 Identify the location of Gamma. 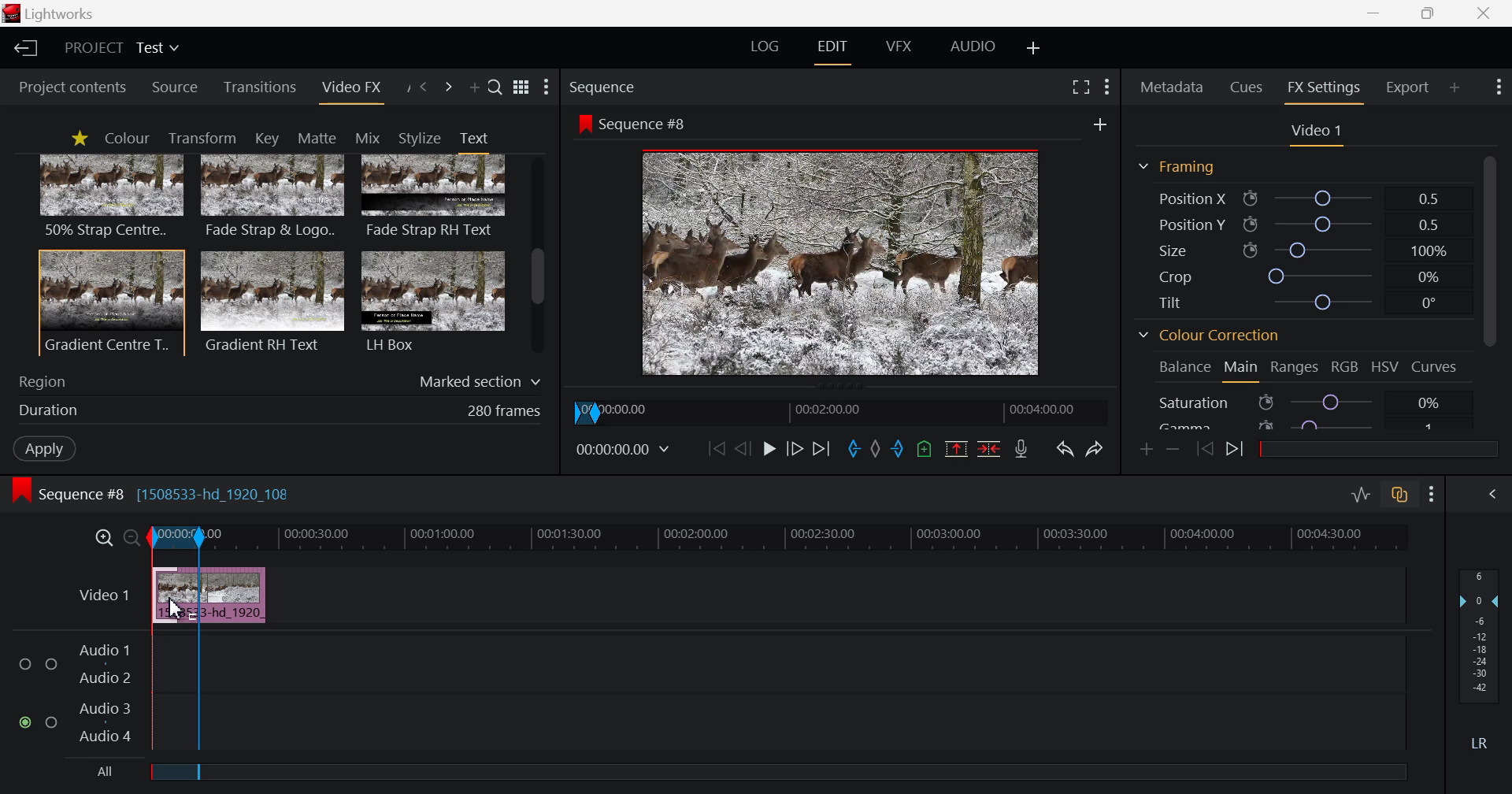
(1298, 423).